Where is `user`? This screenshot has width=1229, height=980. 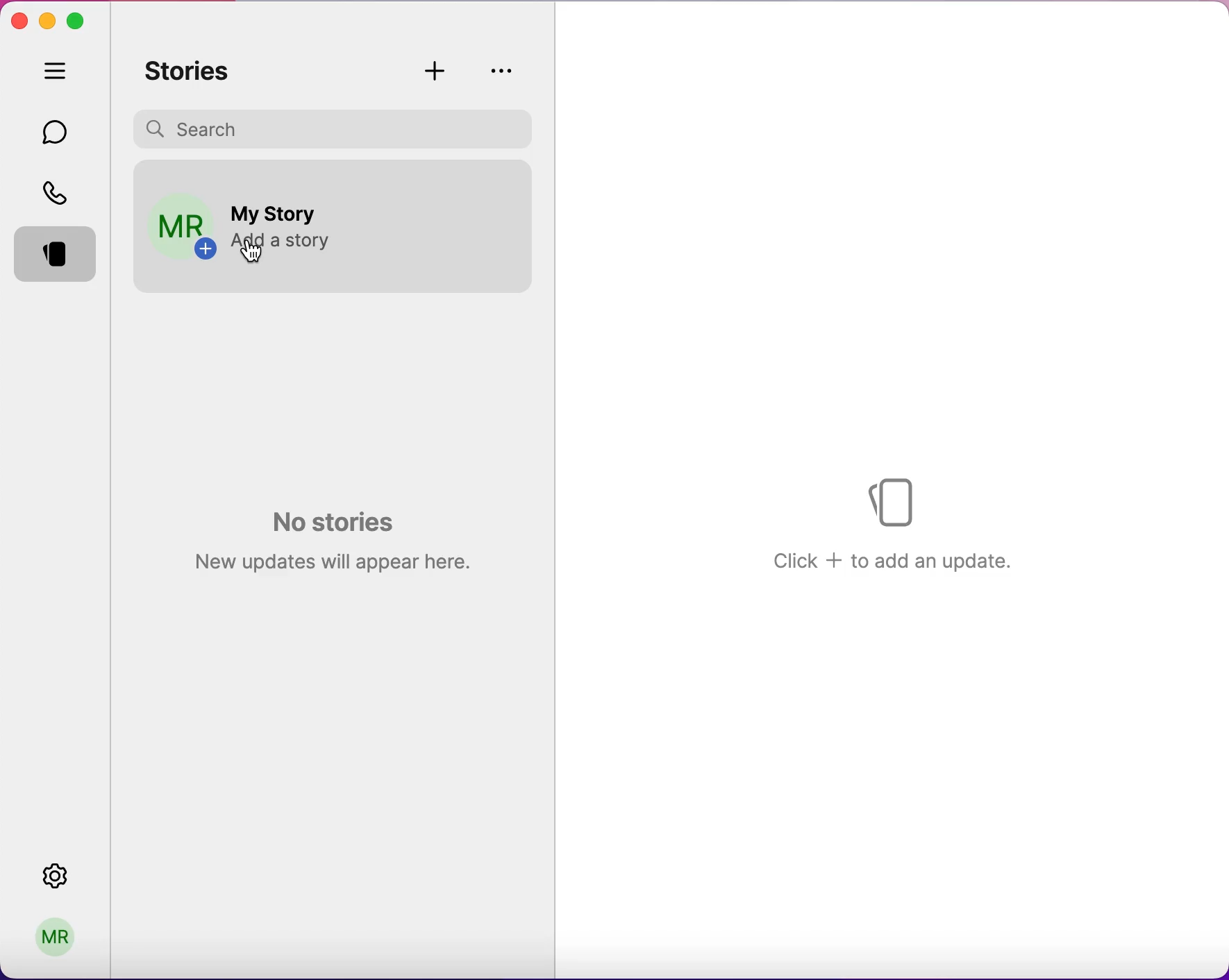 user is located at coordinates (60, 934).